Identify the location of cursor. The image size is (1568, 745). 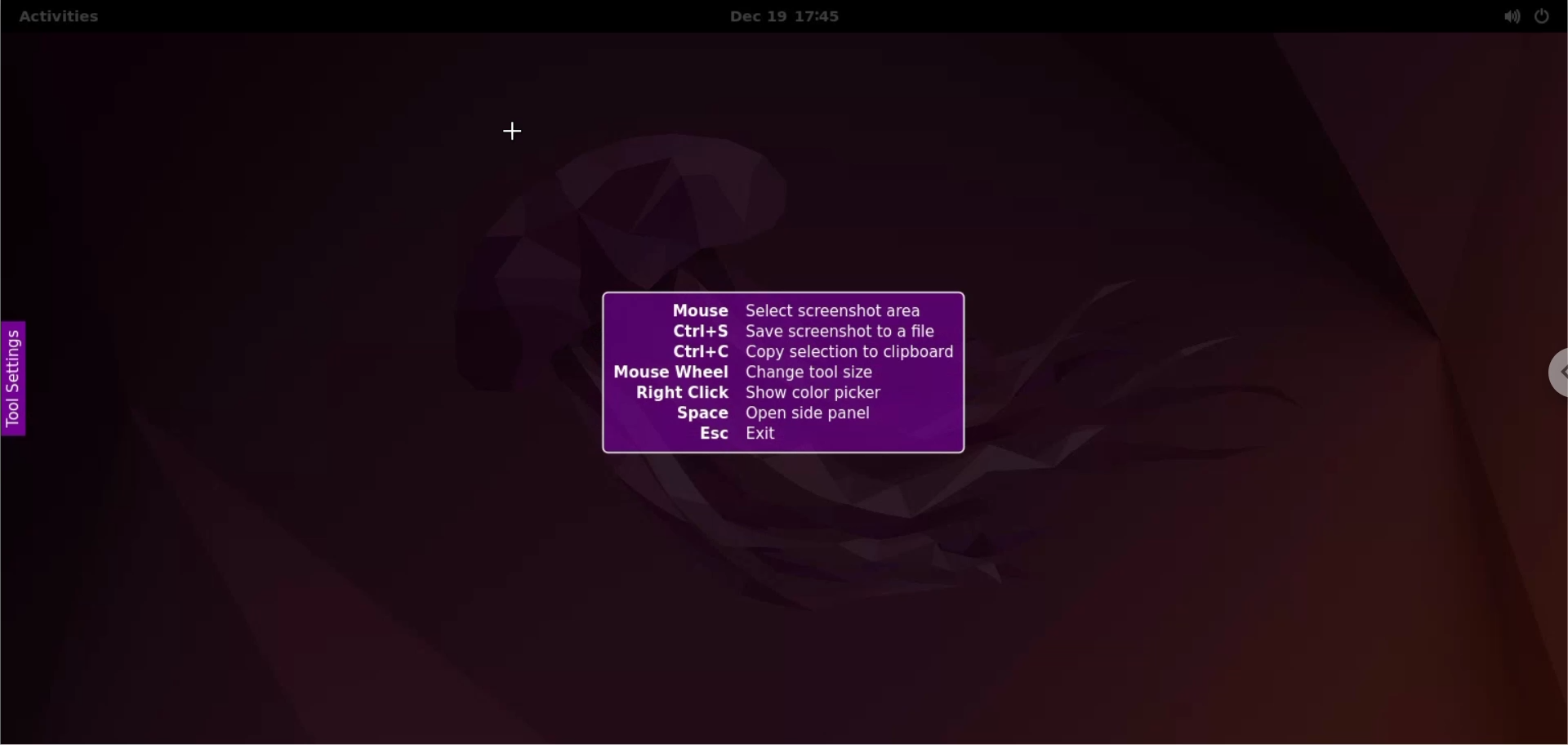
(514, 136).